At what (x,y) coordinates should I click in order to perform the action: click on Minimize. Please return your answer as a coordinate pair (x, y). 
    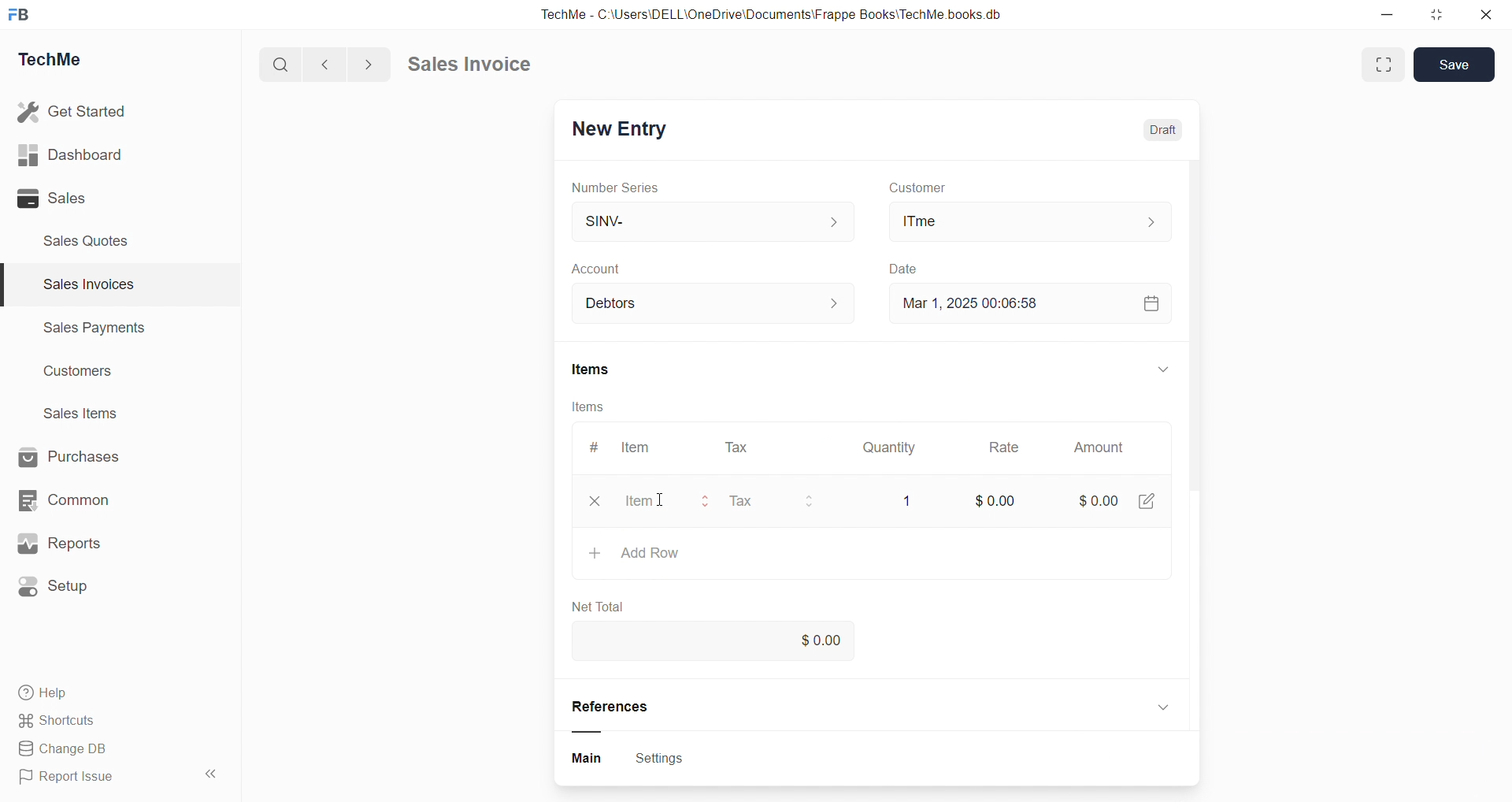
    Looking at the image, I should click on (1392, 16).